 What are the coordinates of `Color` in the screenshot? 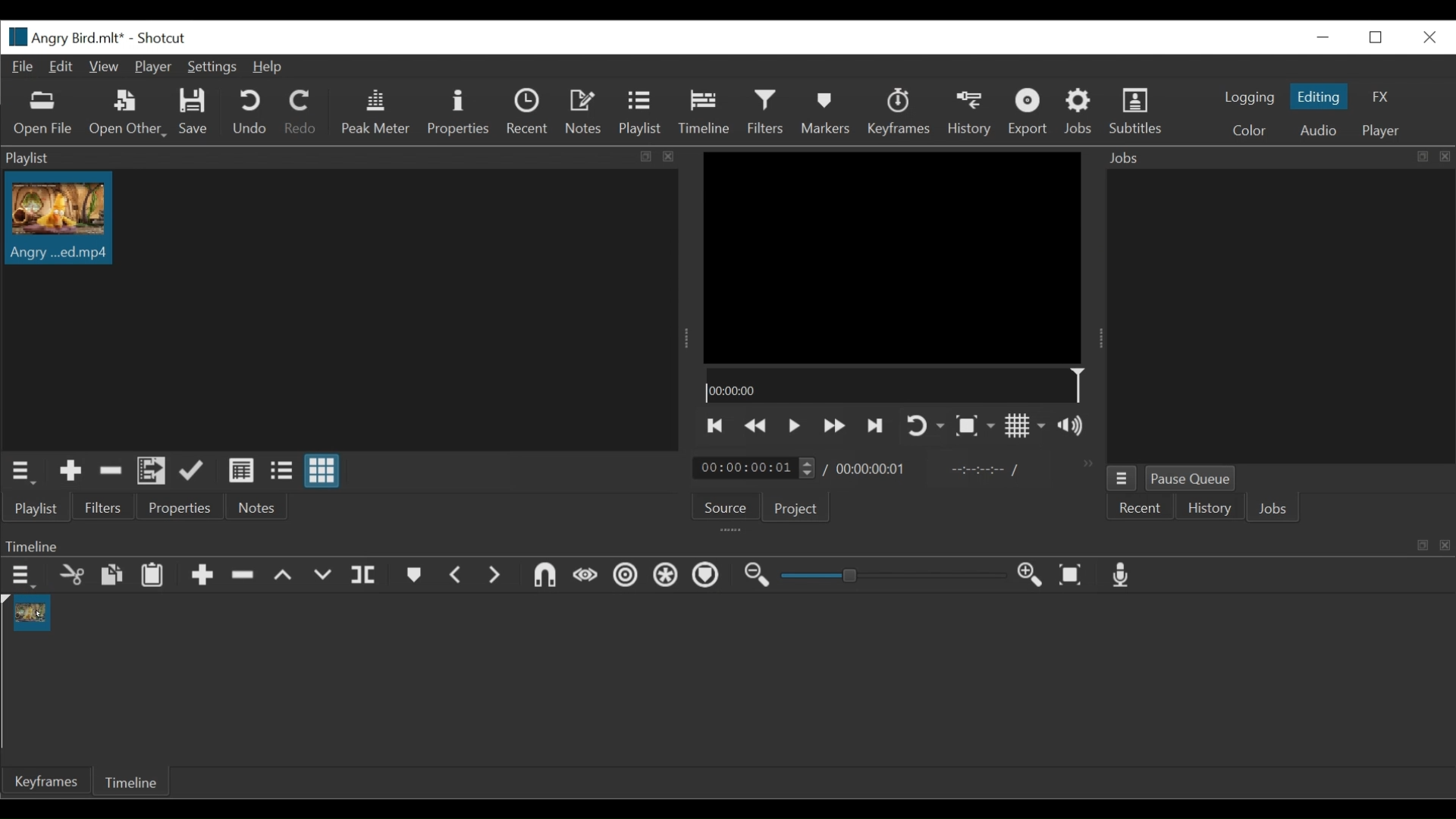 It's located at (1252, 132).